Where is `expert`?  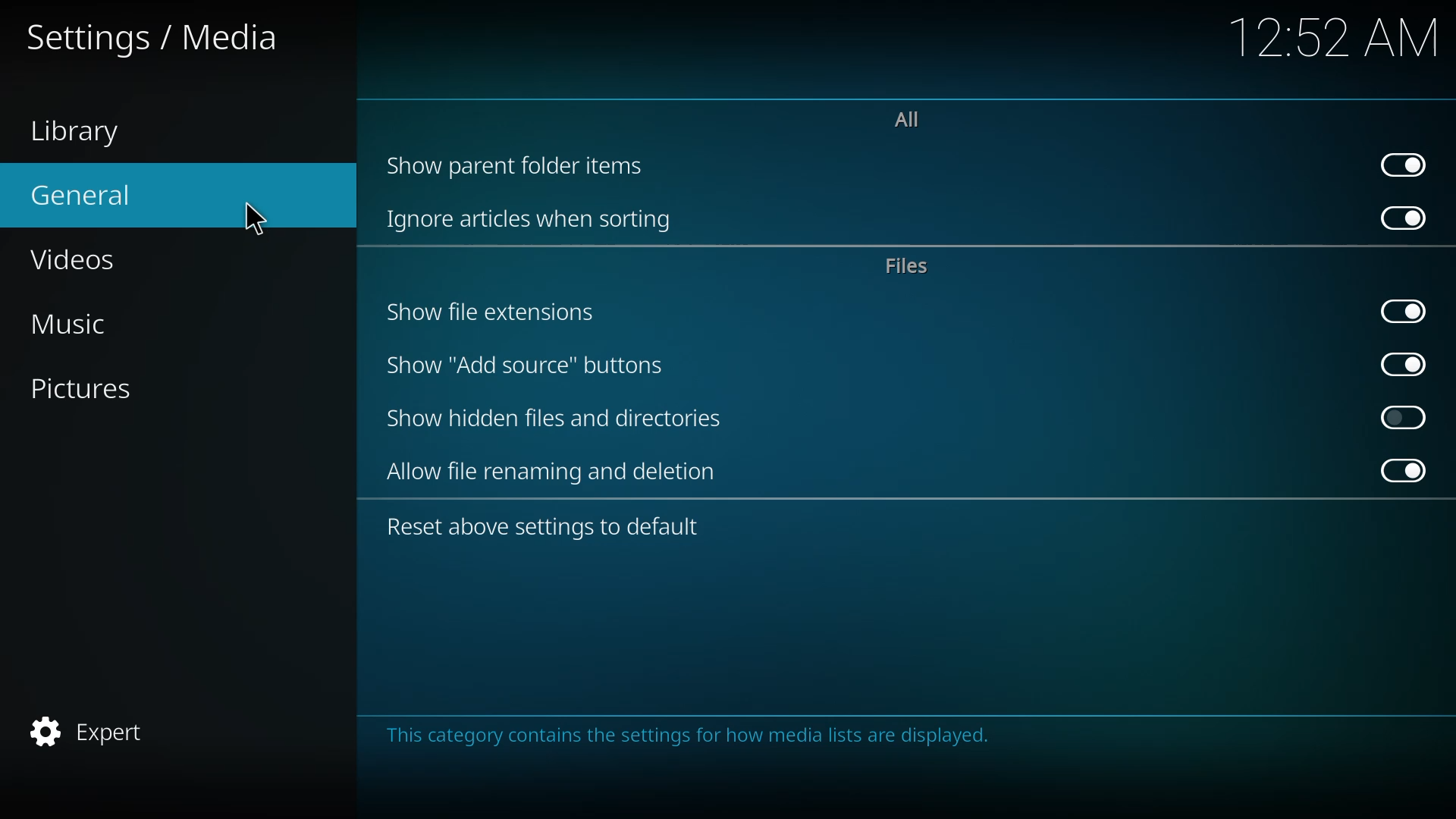 expert is located at coordinates (94, 730).